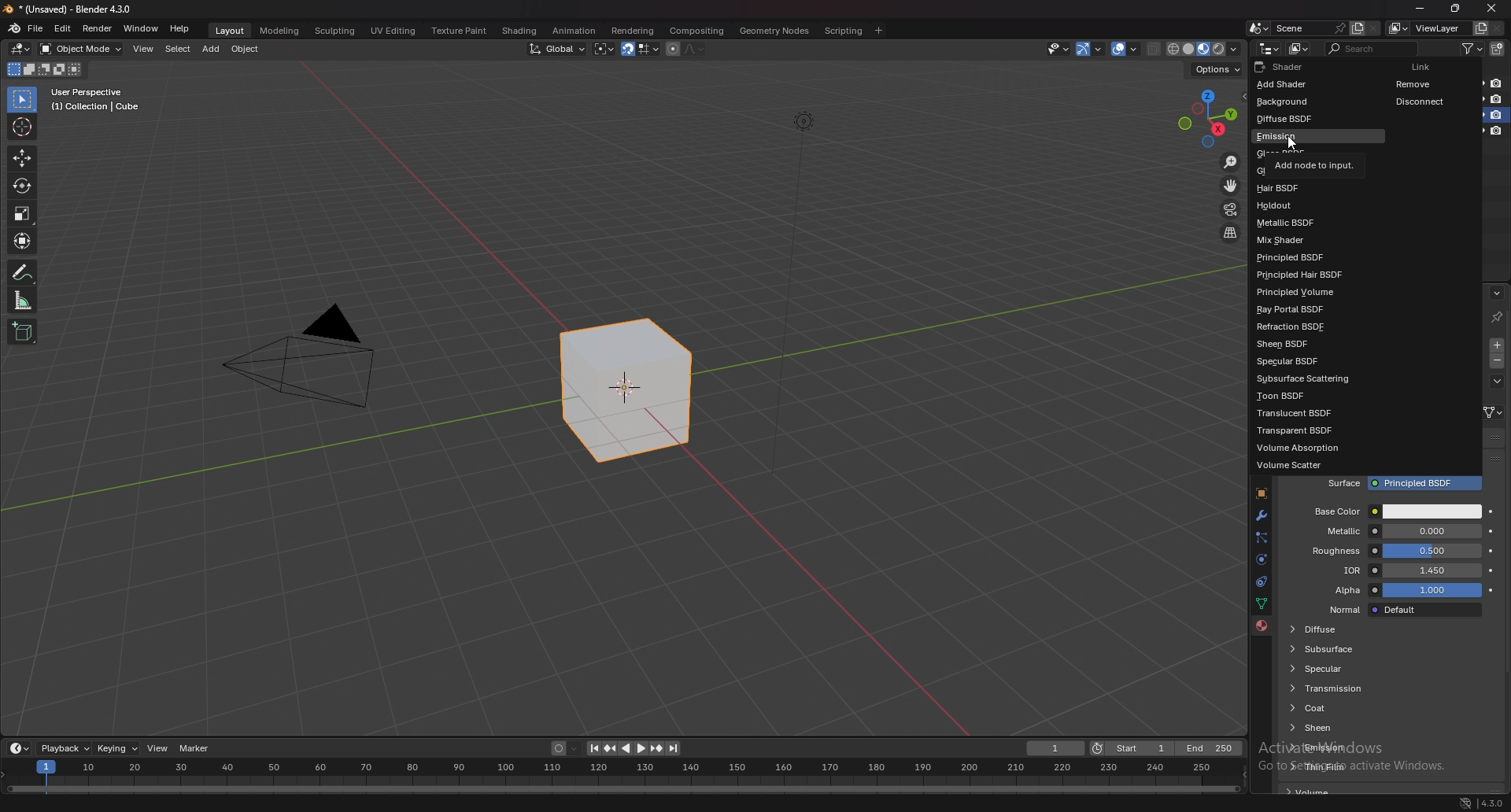  I want to click on measure, so click(23, 300).